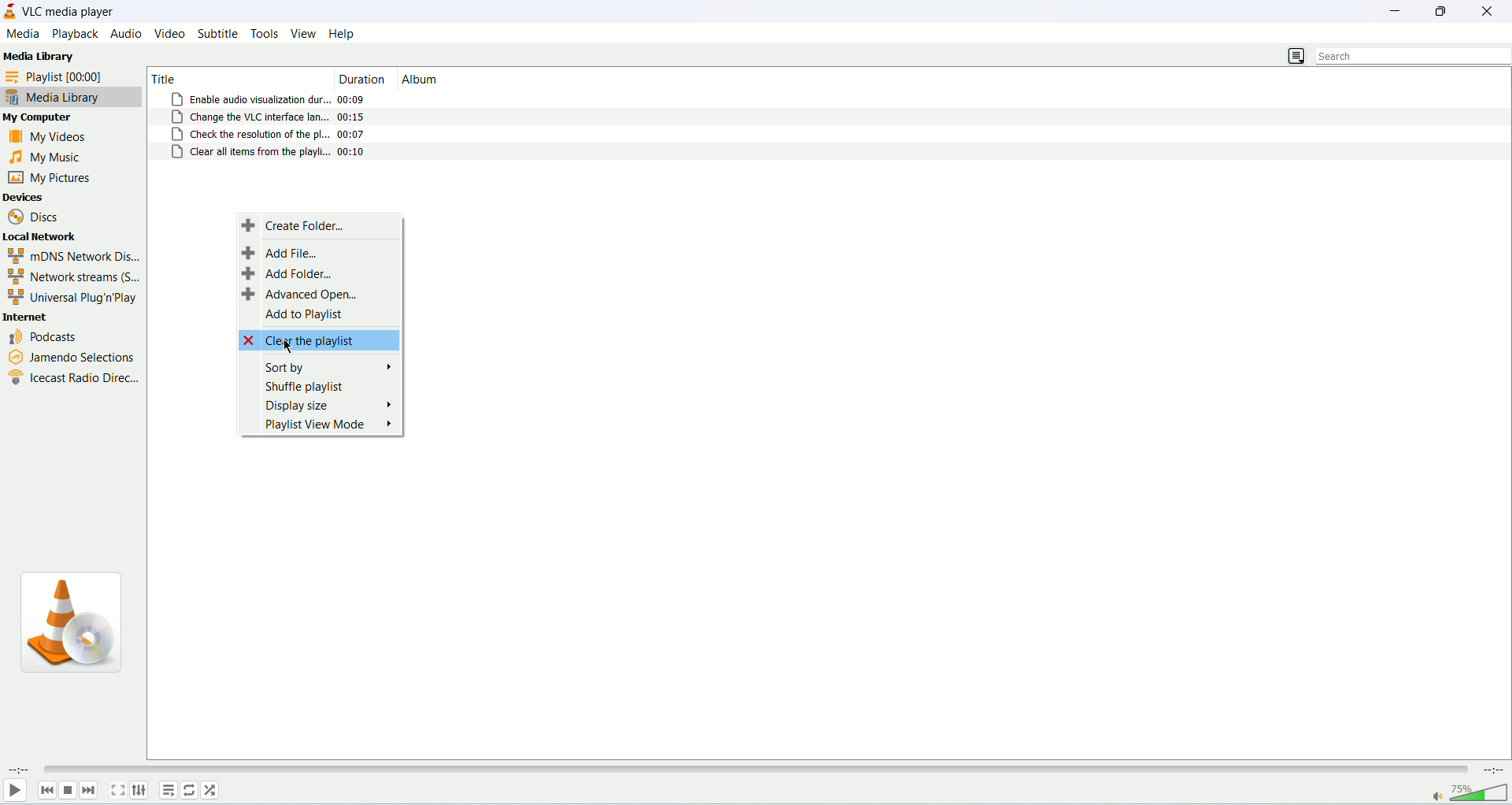  What do you see at coordinates (67, 791) in the screenshot?
I see `stop` at bounding box center [67, 791].